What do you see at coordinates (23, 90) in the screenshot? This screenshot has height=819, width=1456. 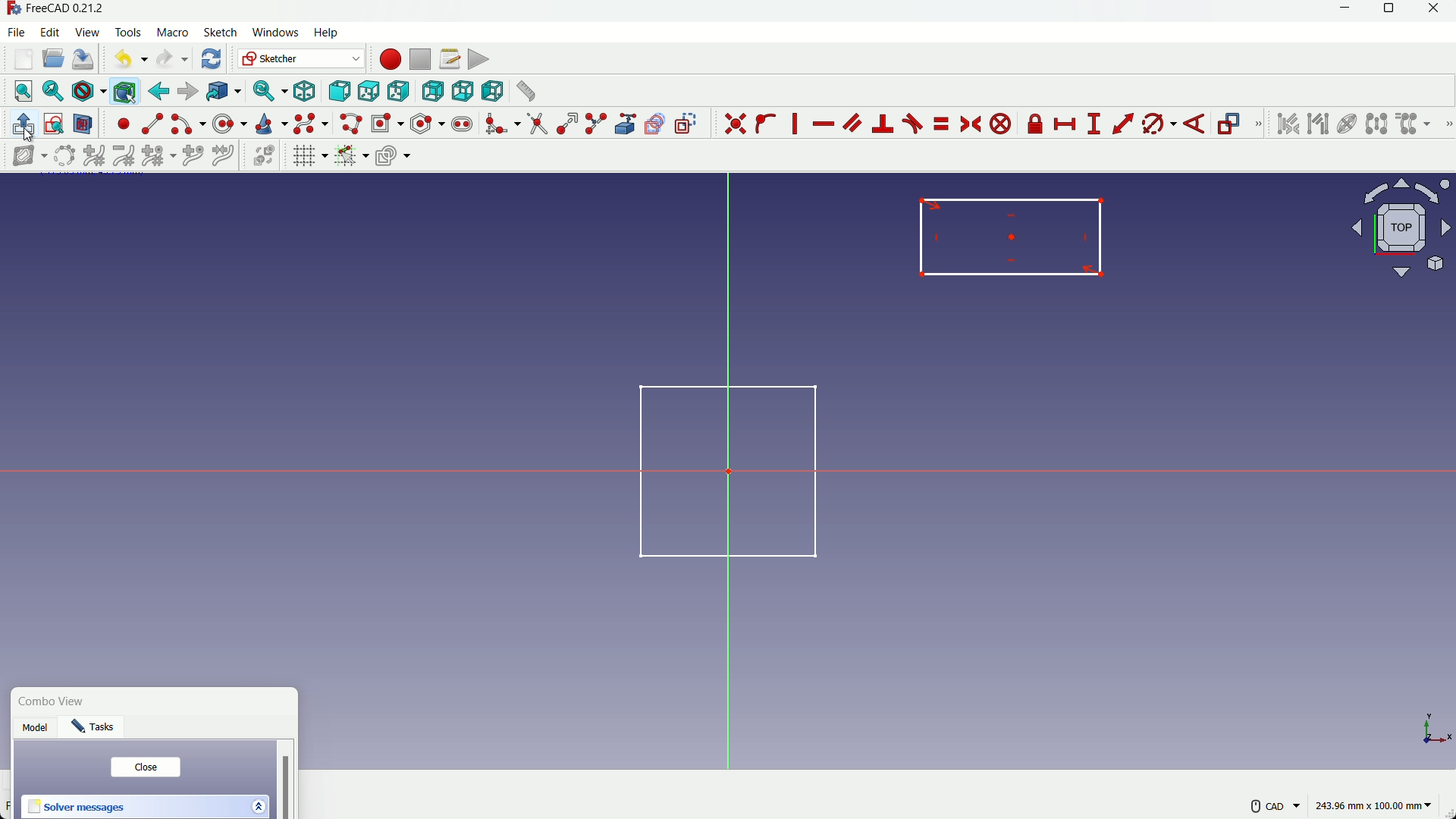 I see `select all` at bounding box center [23, 90].